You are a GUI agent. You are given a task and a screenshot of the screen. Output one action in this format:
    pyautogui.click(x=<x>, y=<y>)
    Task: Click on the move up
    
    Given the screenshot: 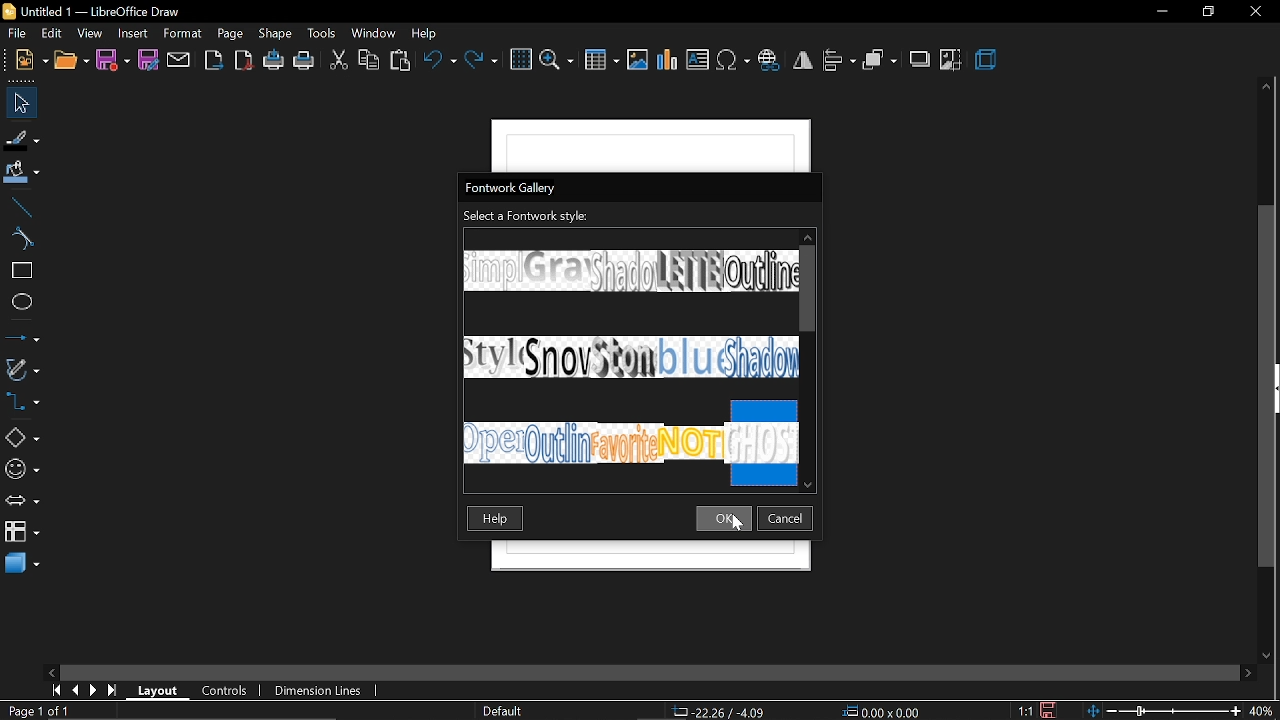 What is the action you would take?
    pyautogui.click(x=808, y=235)
    